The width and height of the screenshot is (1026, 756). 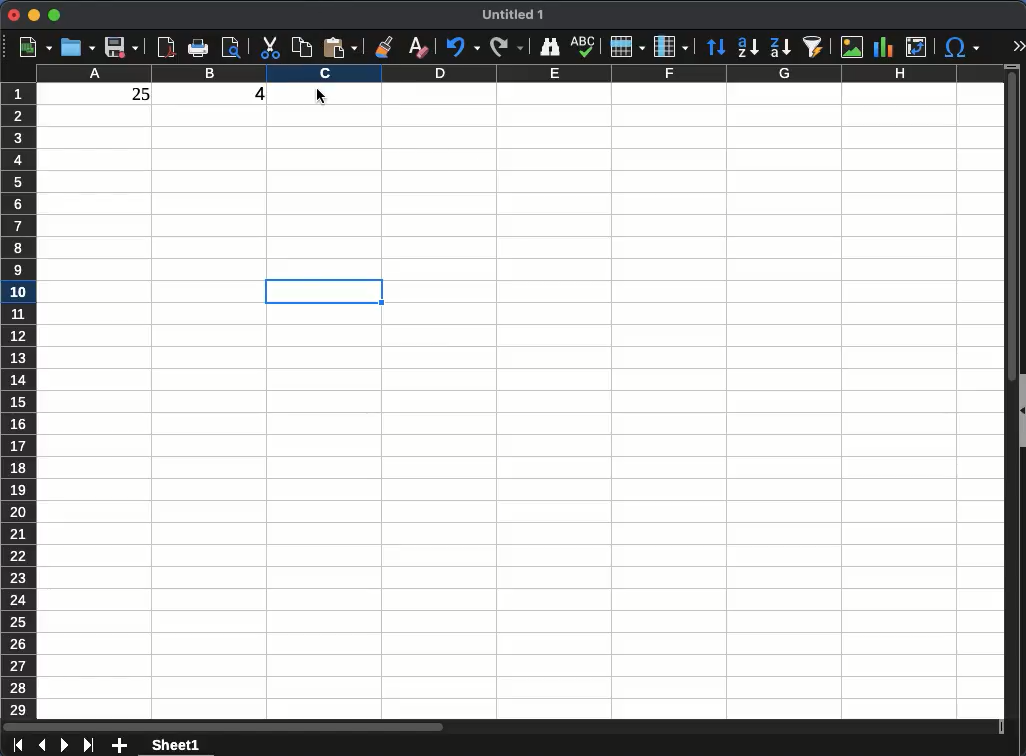 What do you see at coordinates (247, 95) in the screenshot?
I see `4` at bounding box center [247, 95].